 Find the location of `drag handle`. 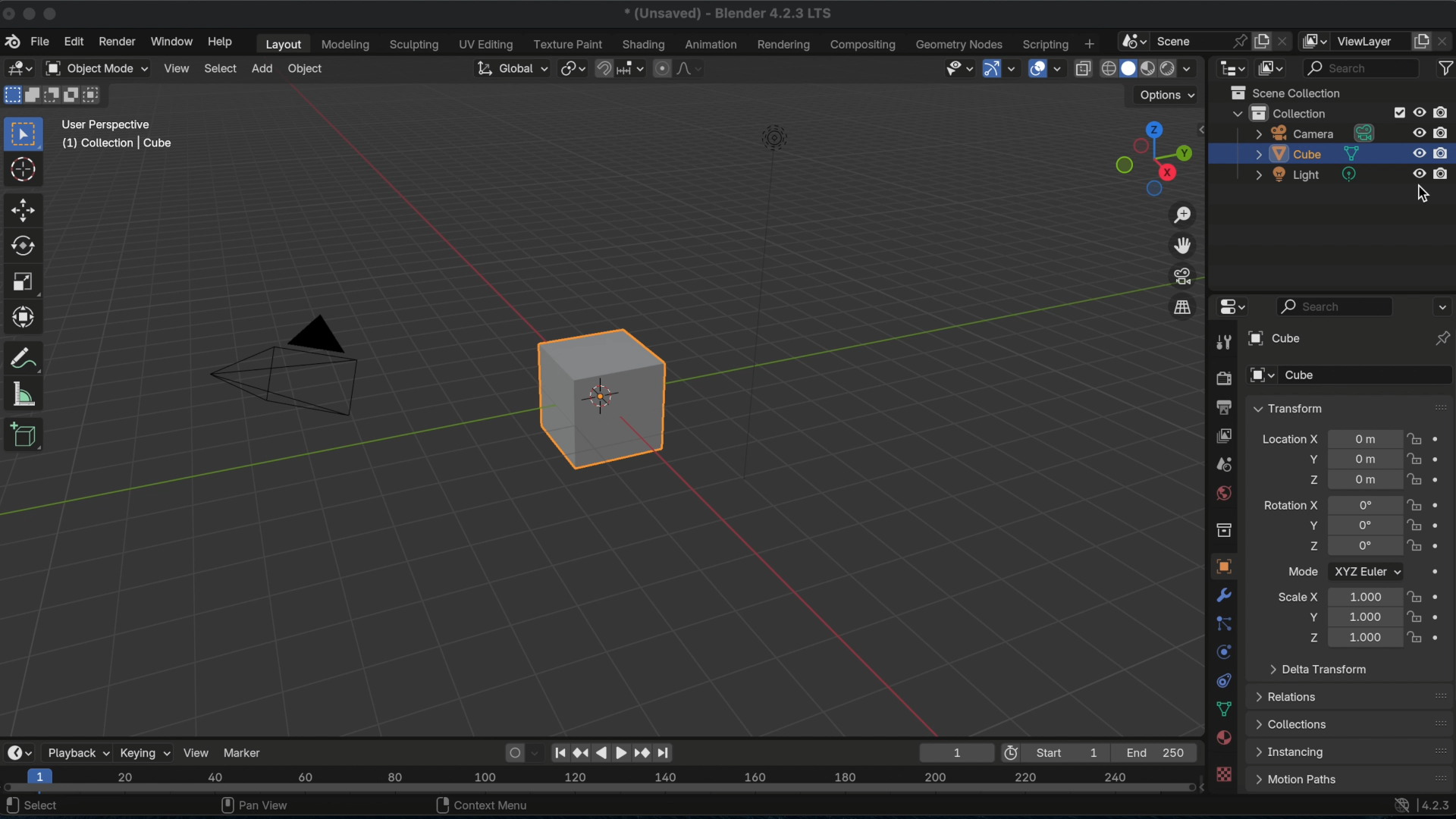

drag handle is located at coordinates (1439, 750).